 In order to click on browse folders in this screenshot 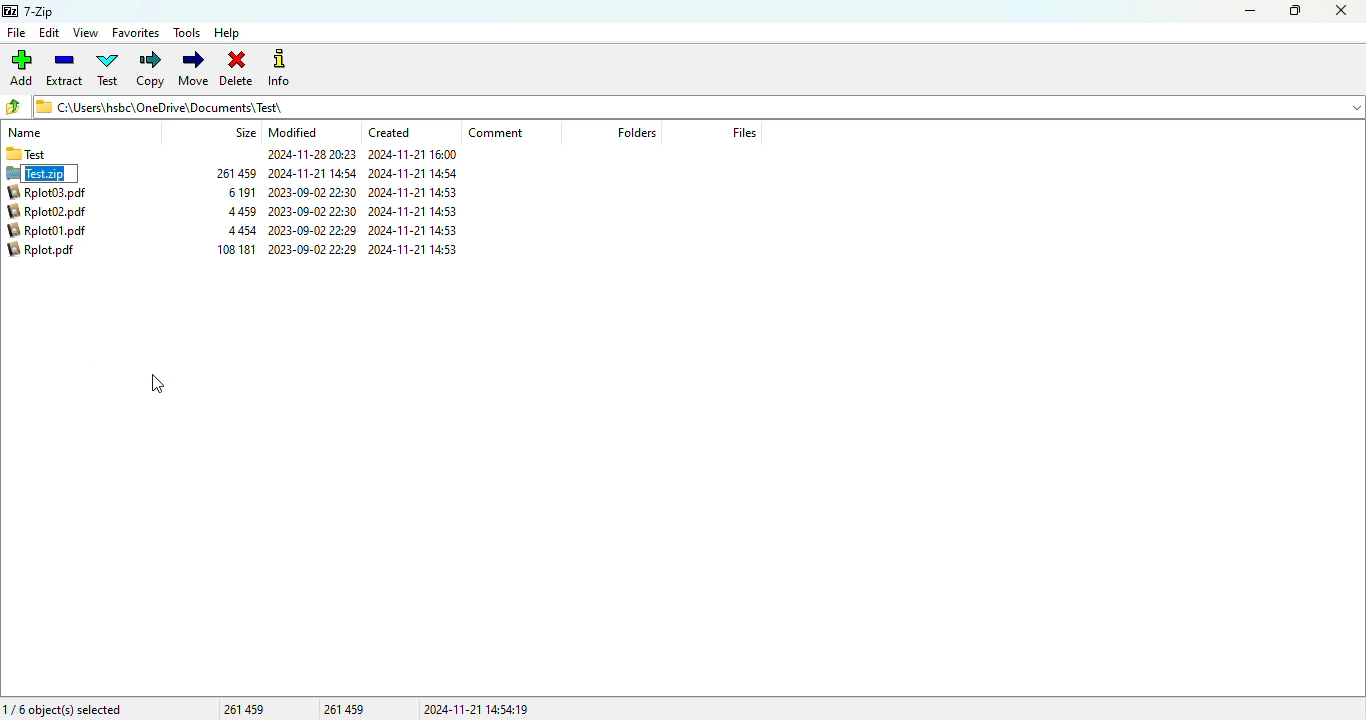, I will do `click(14, 107)`.